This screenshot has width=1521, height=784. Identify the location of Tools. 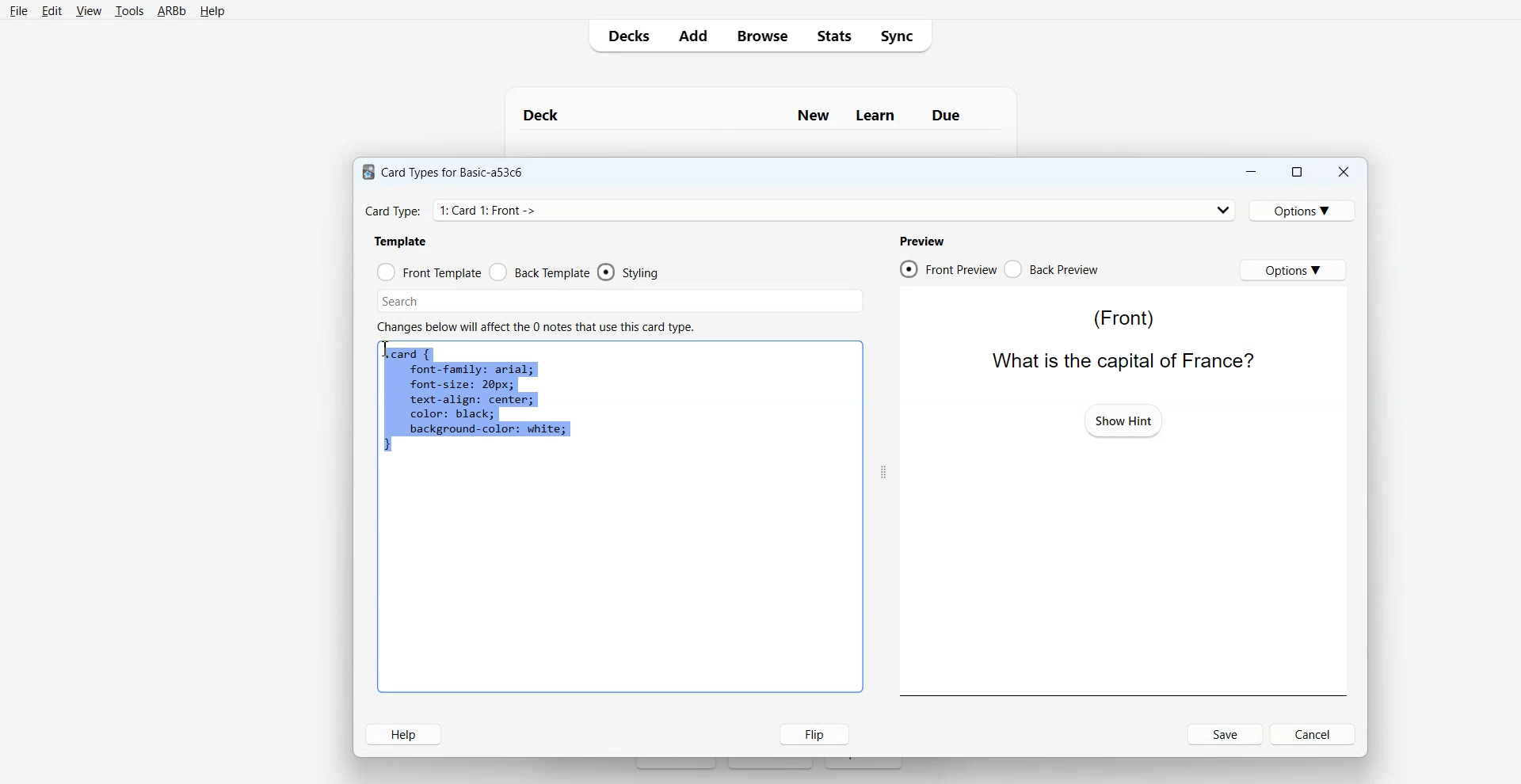
(129, 12).